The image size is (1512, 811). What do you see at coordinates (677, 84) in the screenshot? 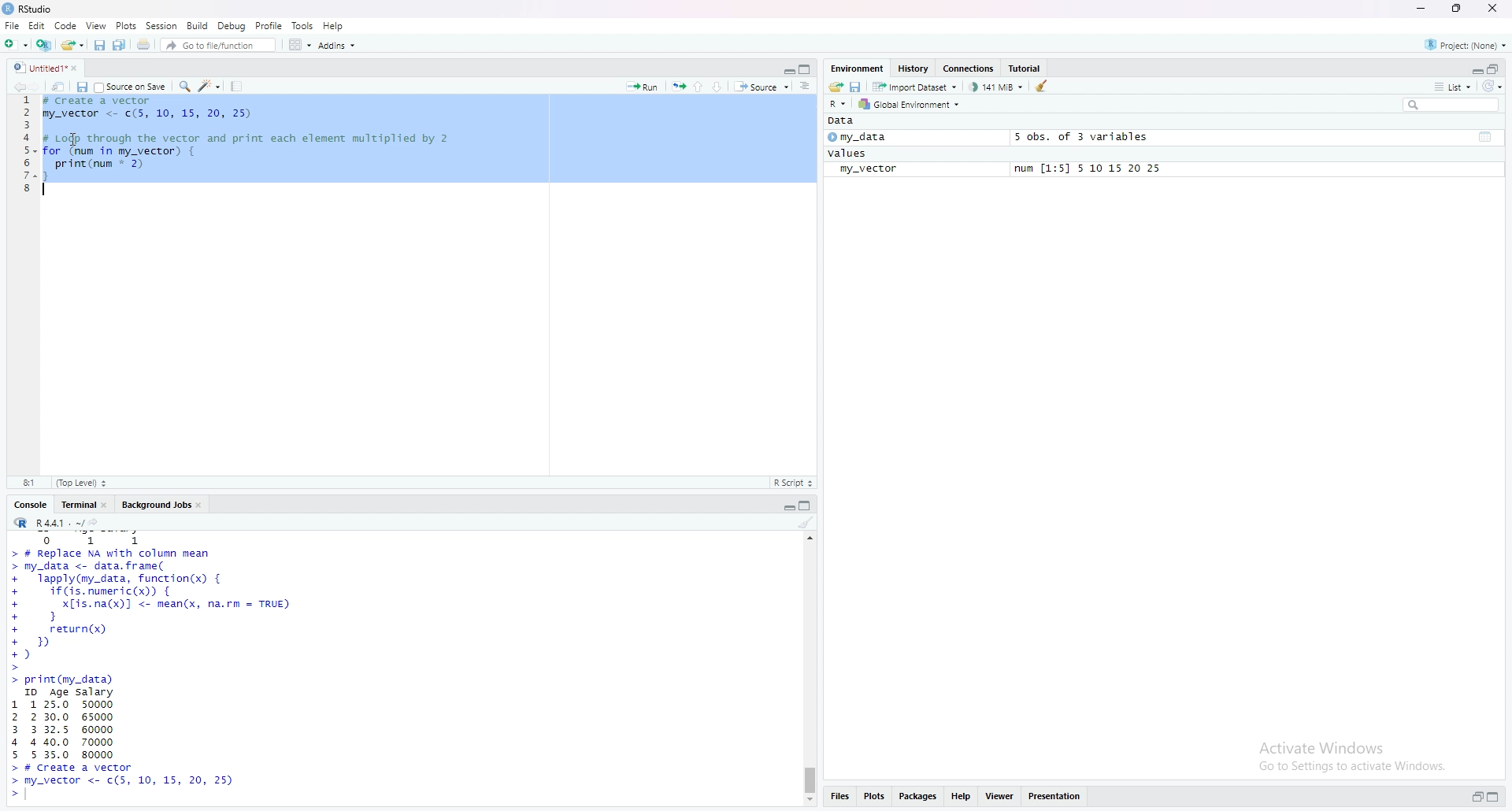
I see `rerun the previous code region` at bounding box center [677, 84].